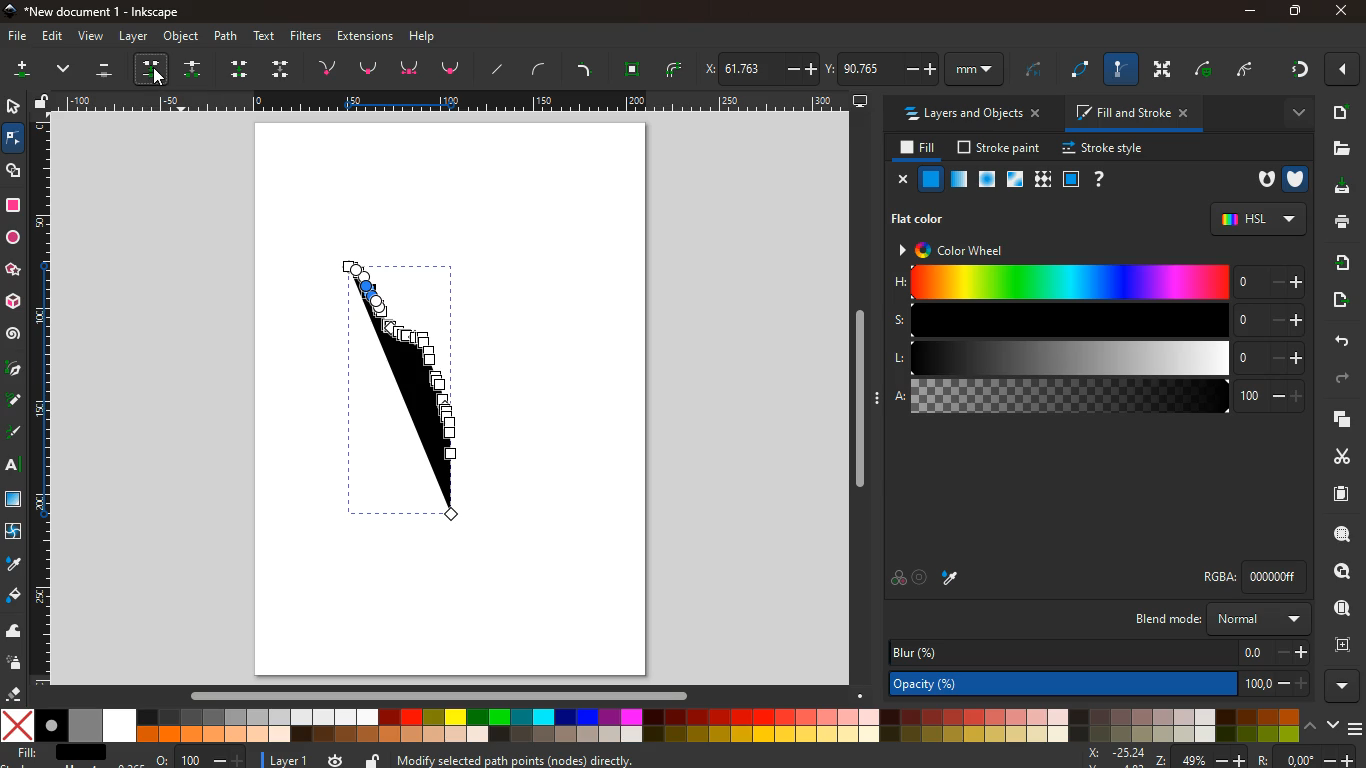 The height and width of the screenshot is (768, 1366). What do you see at coordinates (1099, 397) in the screenshot?
I see `a` at bounding box center [1099, 397].